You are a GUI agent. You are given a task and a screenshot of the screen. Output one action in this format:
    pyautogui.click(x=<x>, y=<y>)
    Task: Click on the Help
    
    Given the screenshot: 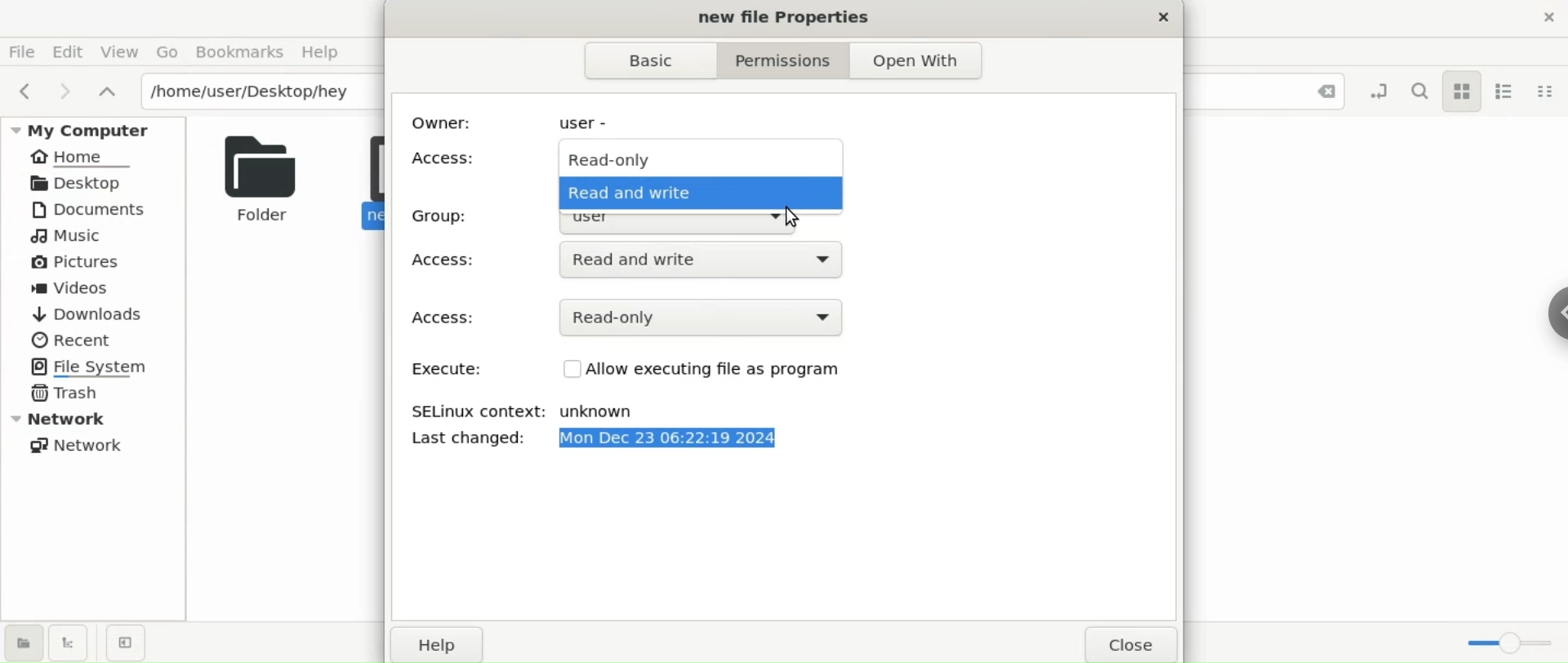 What is the action you would take?
    pyautogui.click(x=327, y=52)
    